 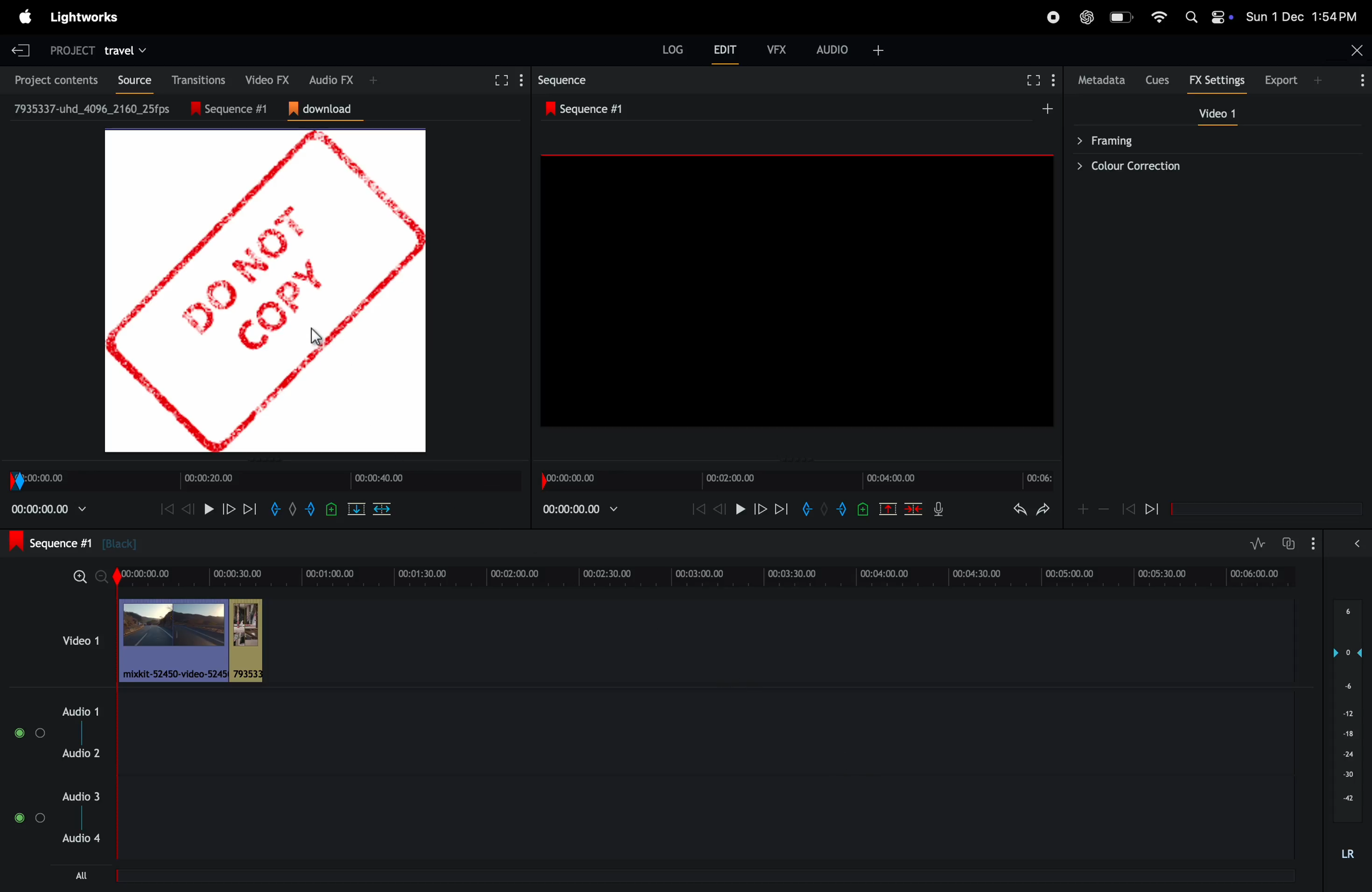 What do you see at coordinates (720, 508) in the screenshot?
I see `previous frame` at bounding box center [720, 508].